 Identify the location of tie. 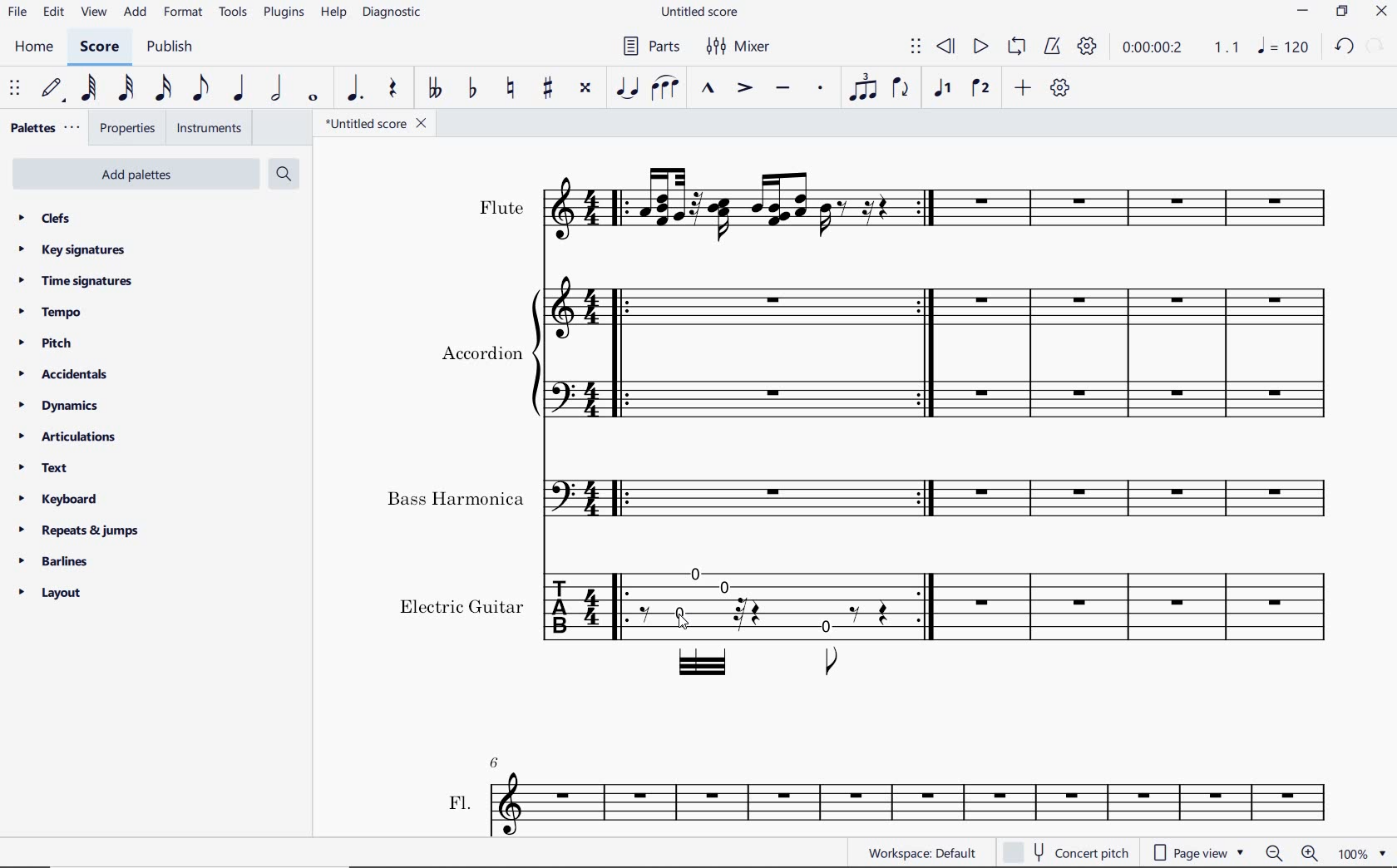
(629, 86).